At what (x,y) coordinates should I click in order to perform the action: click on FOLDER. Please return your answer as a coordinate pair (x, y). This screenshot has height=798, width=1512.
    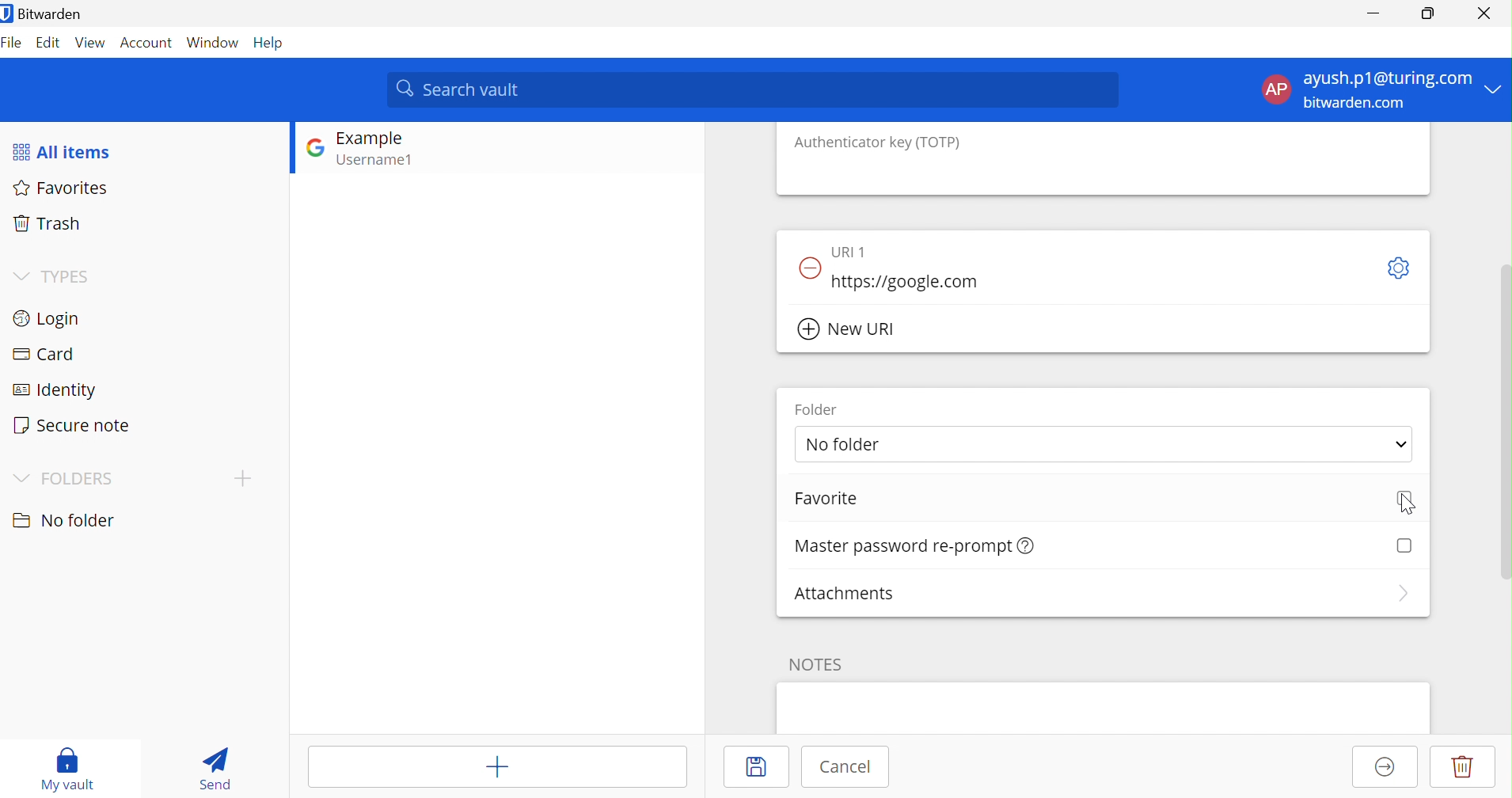
    Looking at the image, I should click on (78, 477).